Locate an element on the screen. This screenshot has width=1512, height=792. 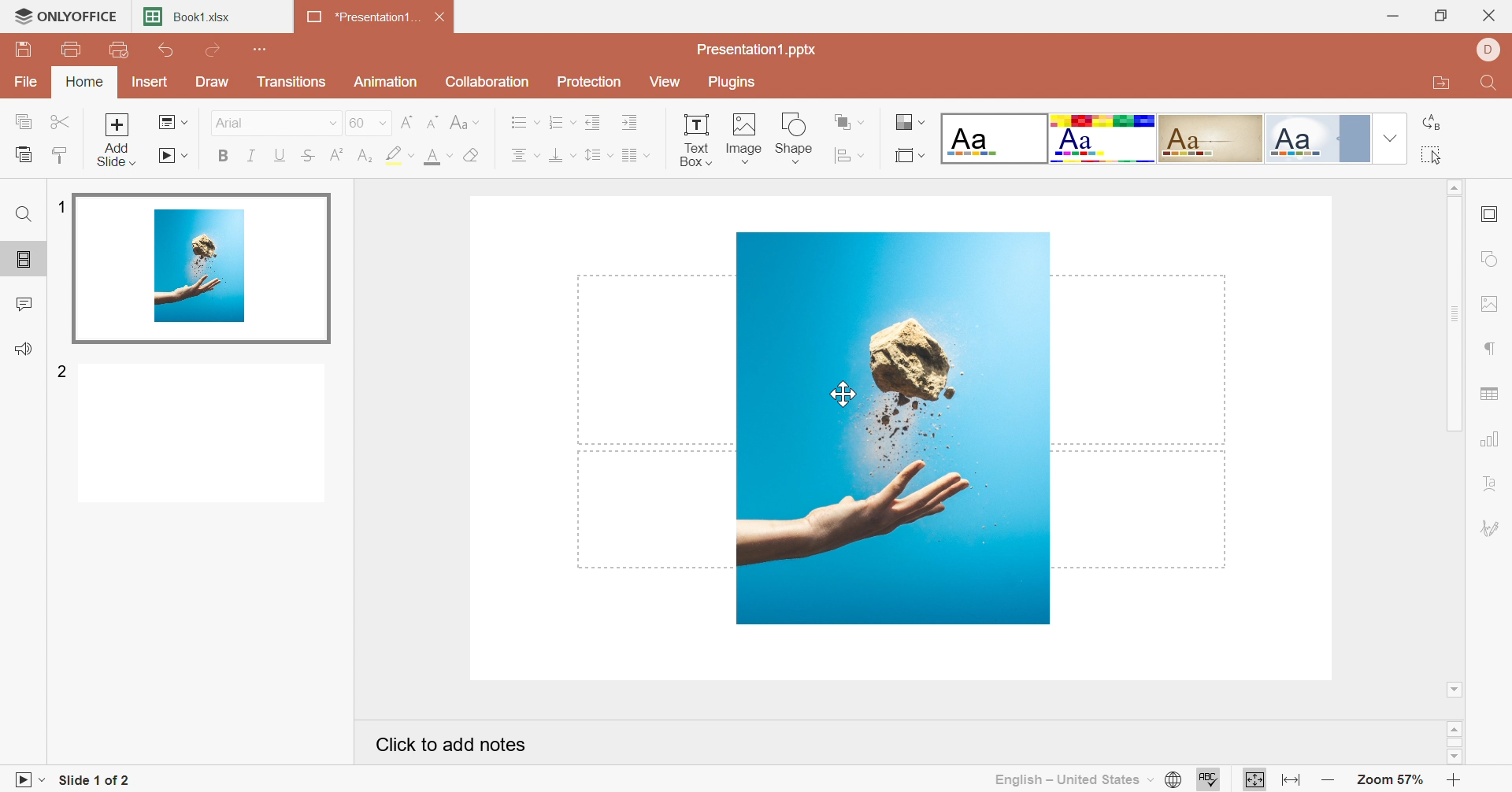
Draw is located at coordinates (215, 82).